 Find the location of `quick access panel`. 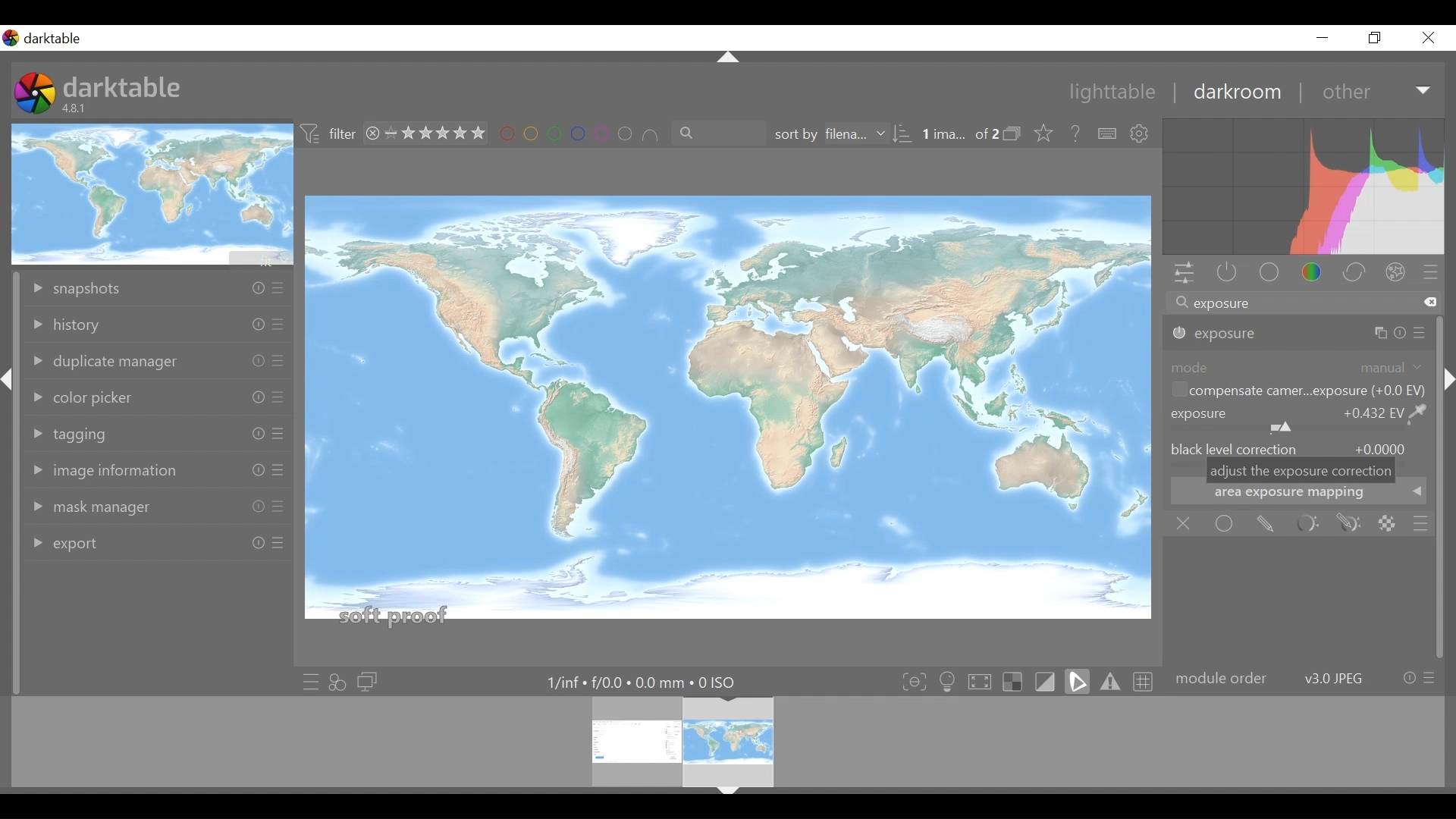

quick access panel is located at coordinates (1181, 275).